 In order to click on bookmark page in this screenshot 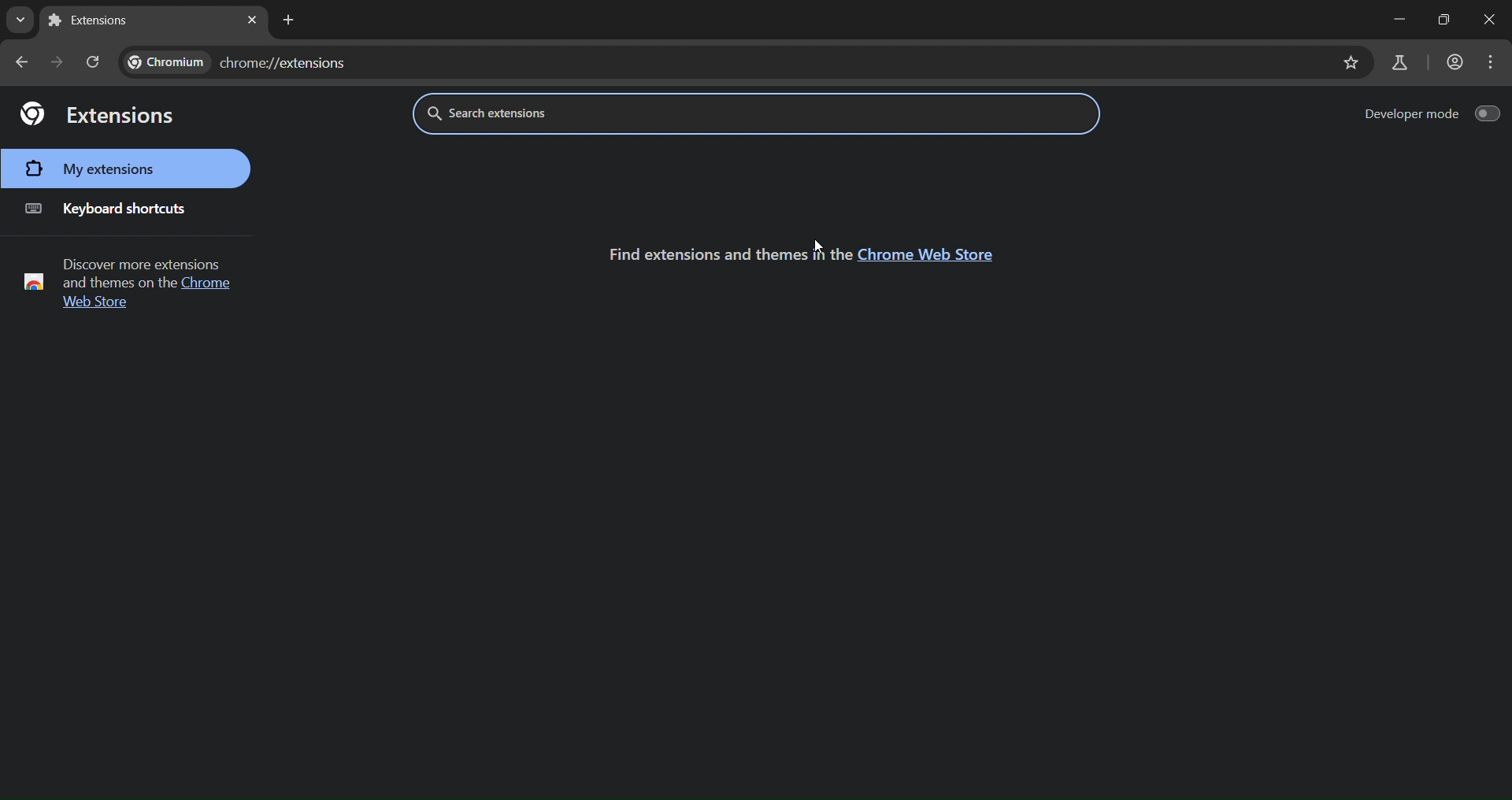, I will do `click(1354, 65)`.